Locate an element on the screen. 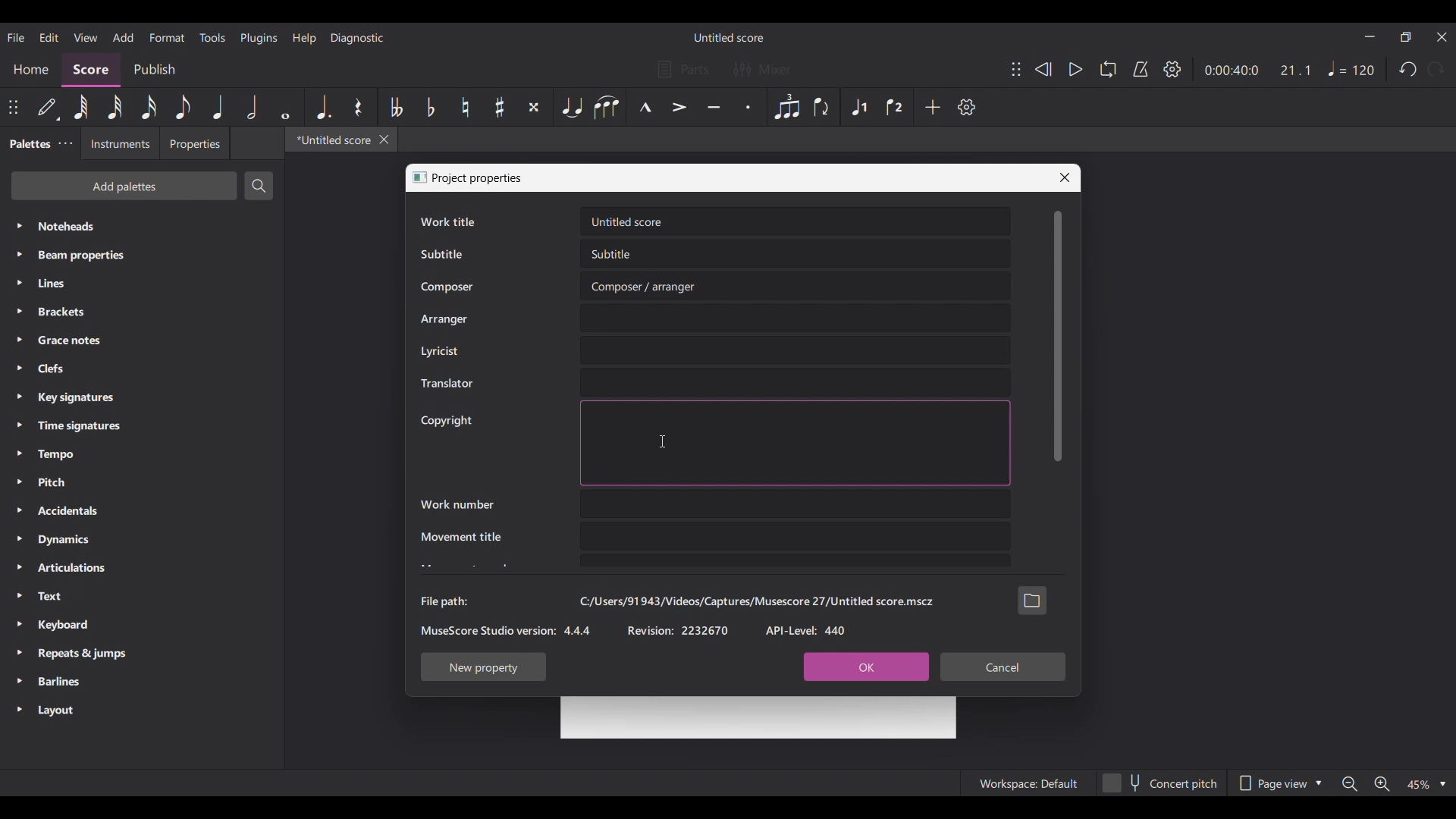  Clefs is located at coordinates (141, 368).